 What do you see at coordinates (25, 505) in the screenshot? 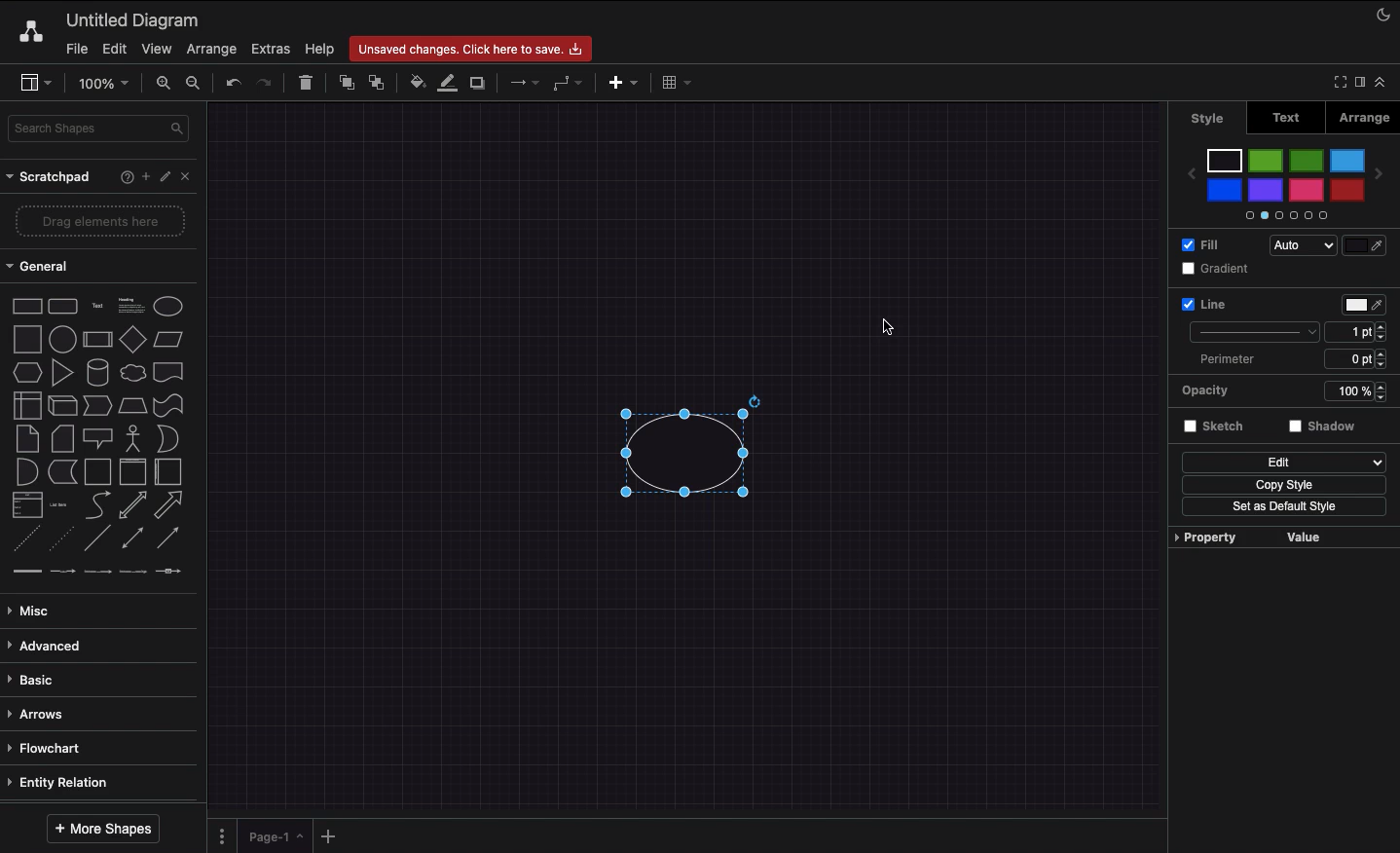
I see `List` at bounding box center [25, 505].